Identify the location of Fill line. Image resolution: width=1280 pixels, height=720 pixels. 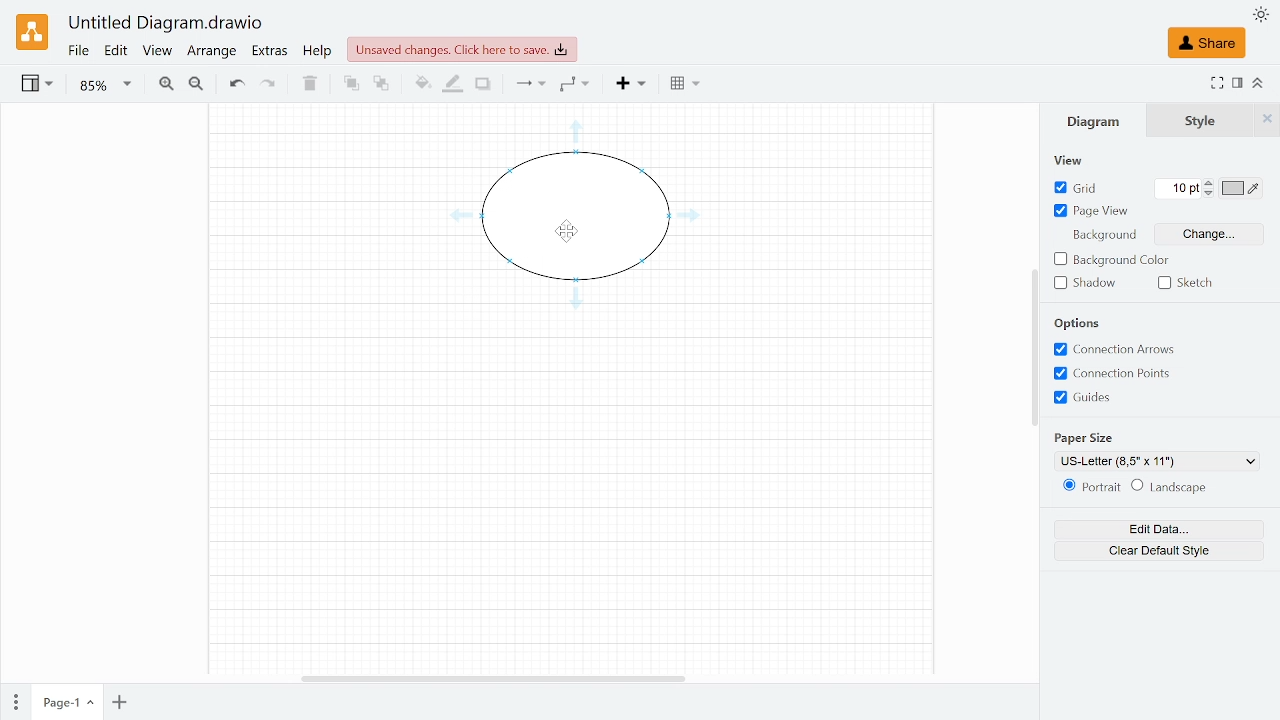
(450, 85).